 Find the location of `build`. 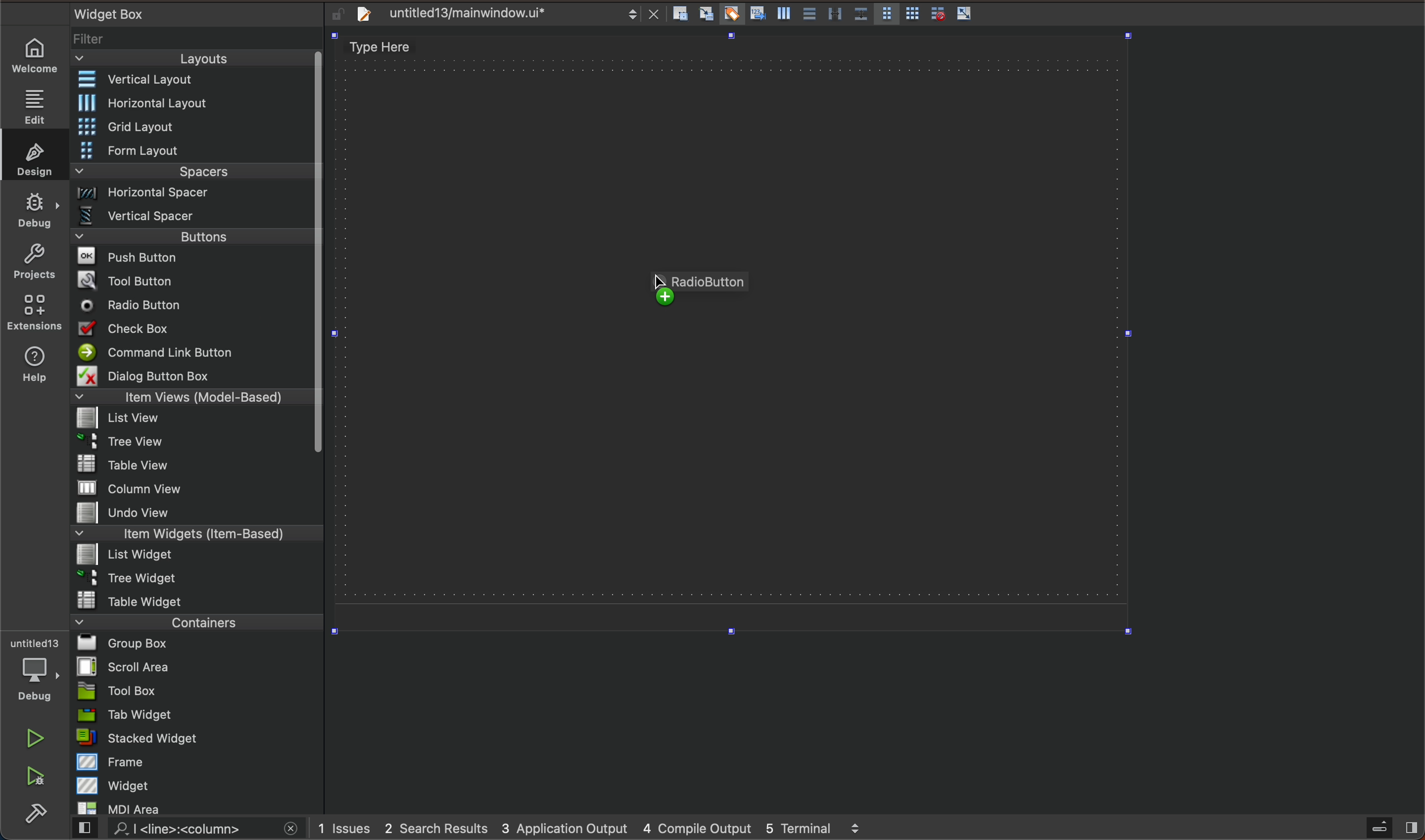

build is located at coordinates (35, 815).